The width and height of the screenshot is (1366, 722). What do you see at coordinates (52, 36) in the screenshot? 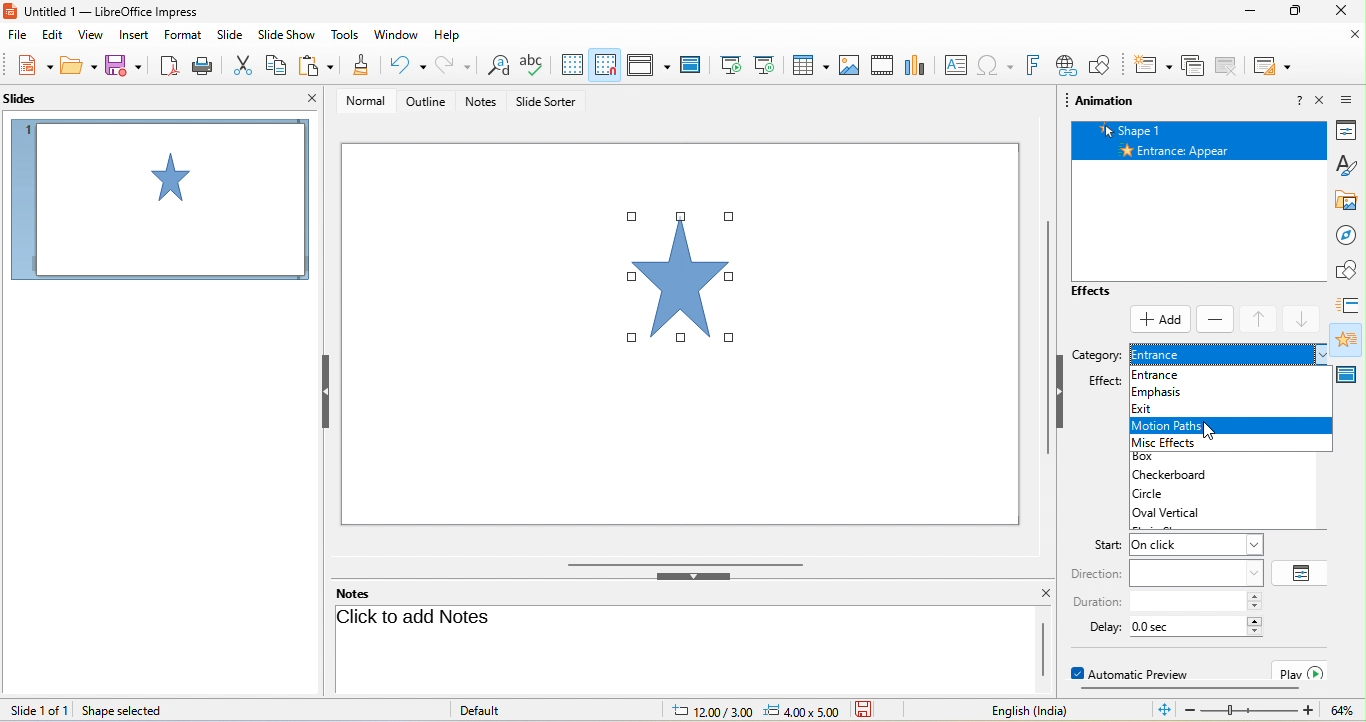
I see `edit` at bounding box center [52, 36].